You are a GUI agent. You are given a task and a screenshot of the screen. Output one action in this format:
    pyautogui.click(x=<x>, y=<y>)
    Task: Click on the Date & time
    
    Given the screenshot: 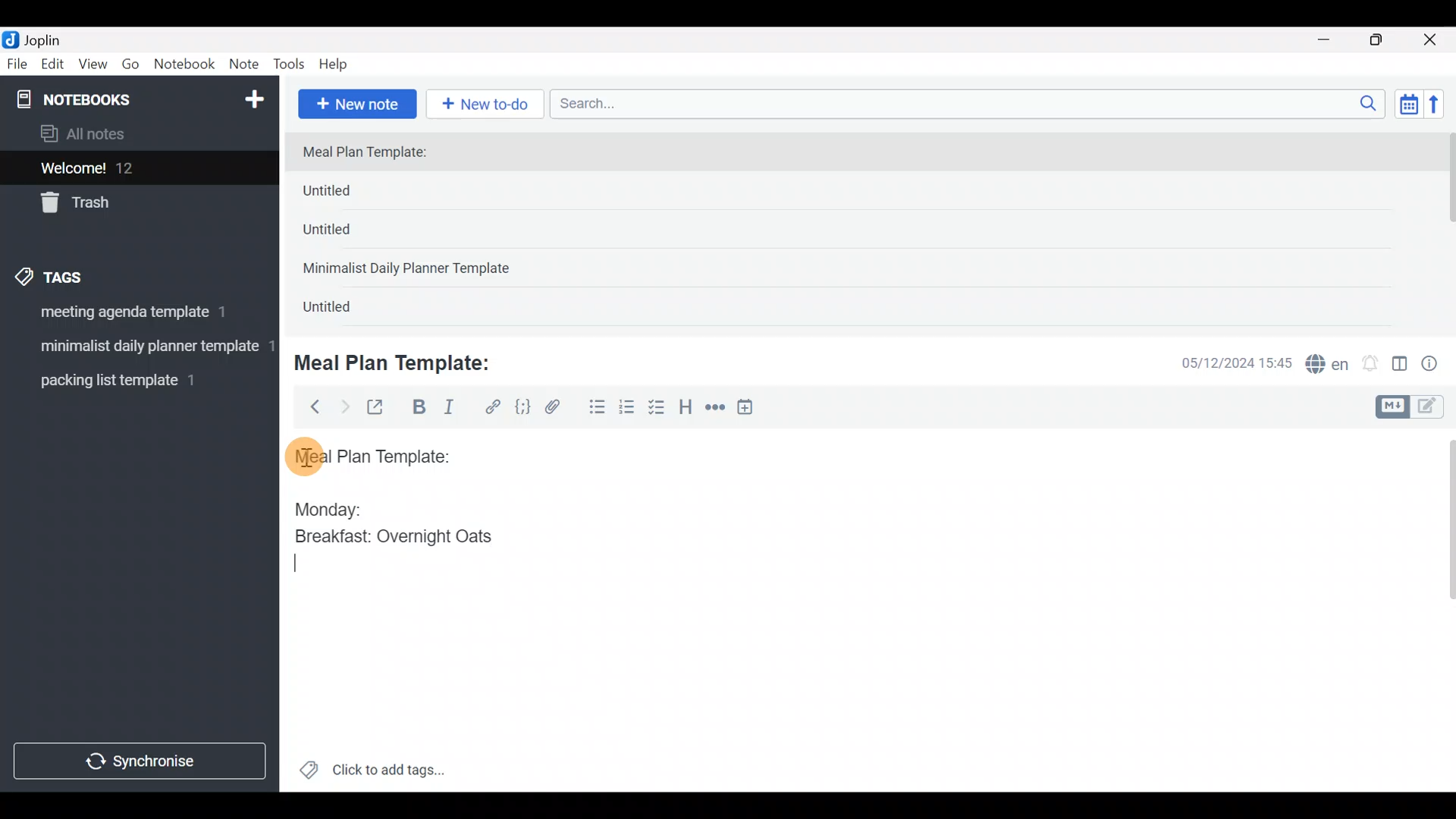 What is the action you would take?
    pyautogui.click(x=1225, y=362)
    